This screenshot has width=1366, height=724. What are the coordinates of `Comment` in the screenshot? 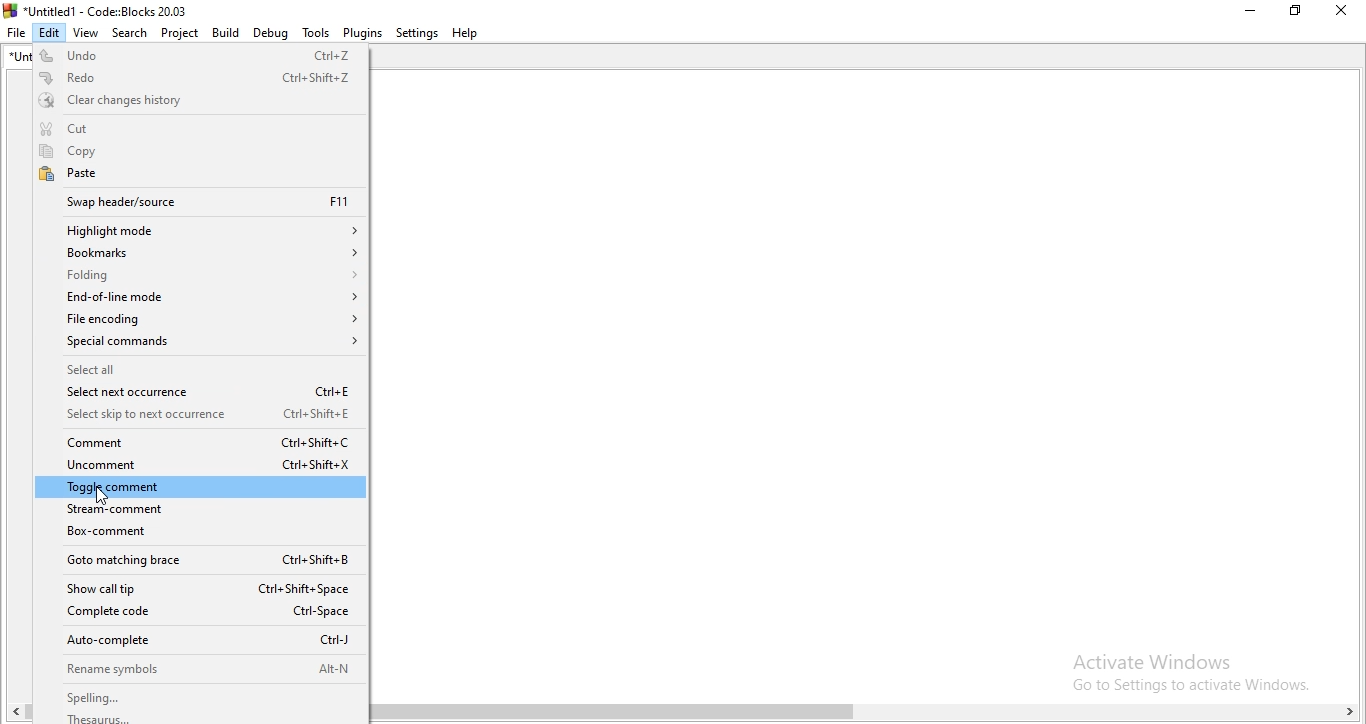 It's located at (199, 443).